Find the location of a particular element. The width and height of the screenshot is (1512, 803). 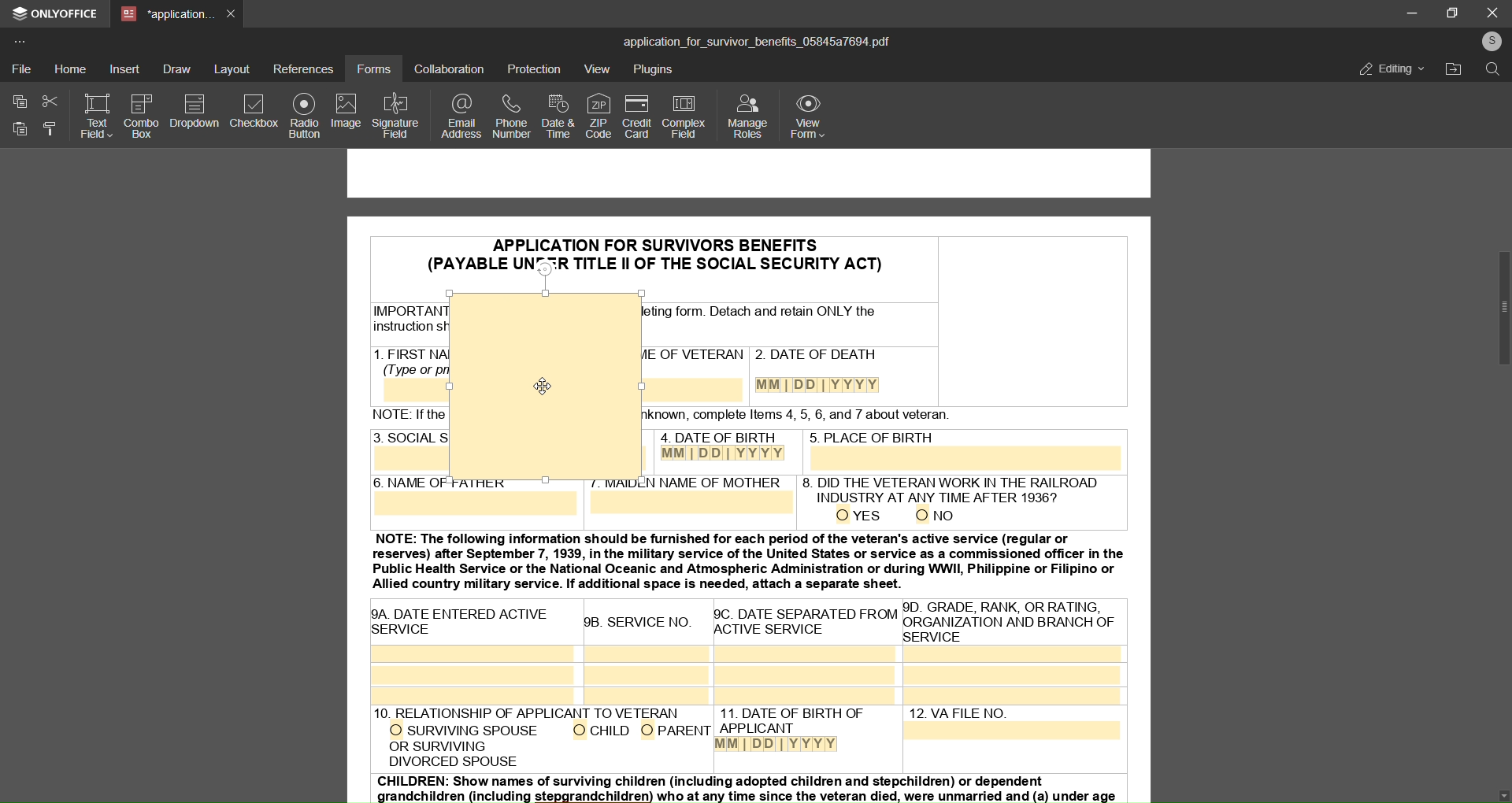

cursor is located at coordinates (535, 387).